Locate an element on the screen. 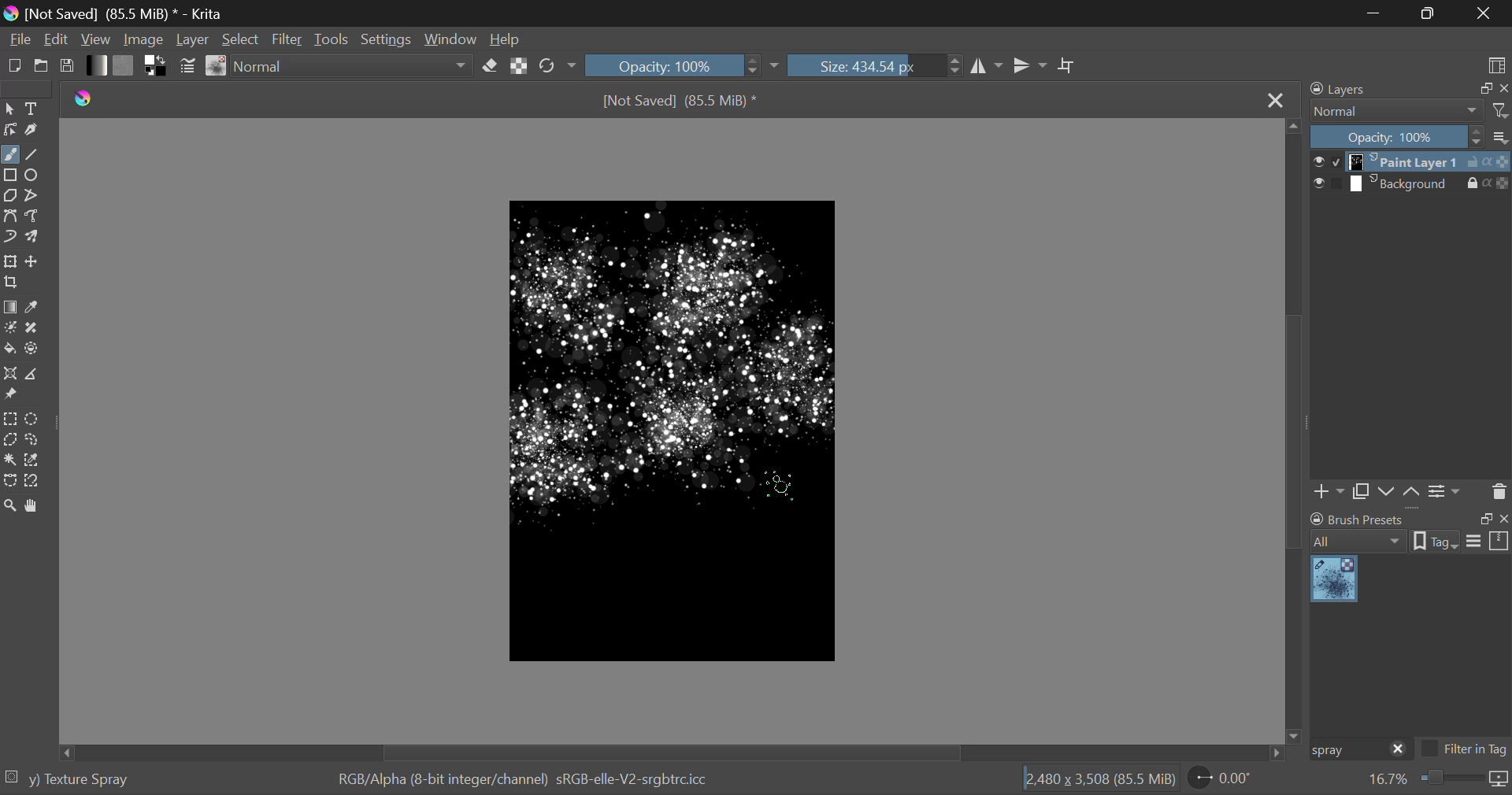 This screenshot has height=795, width=1512. actions is located at coordinates (1488, 162).